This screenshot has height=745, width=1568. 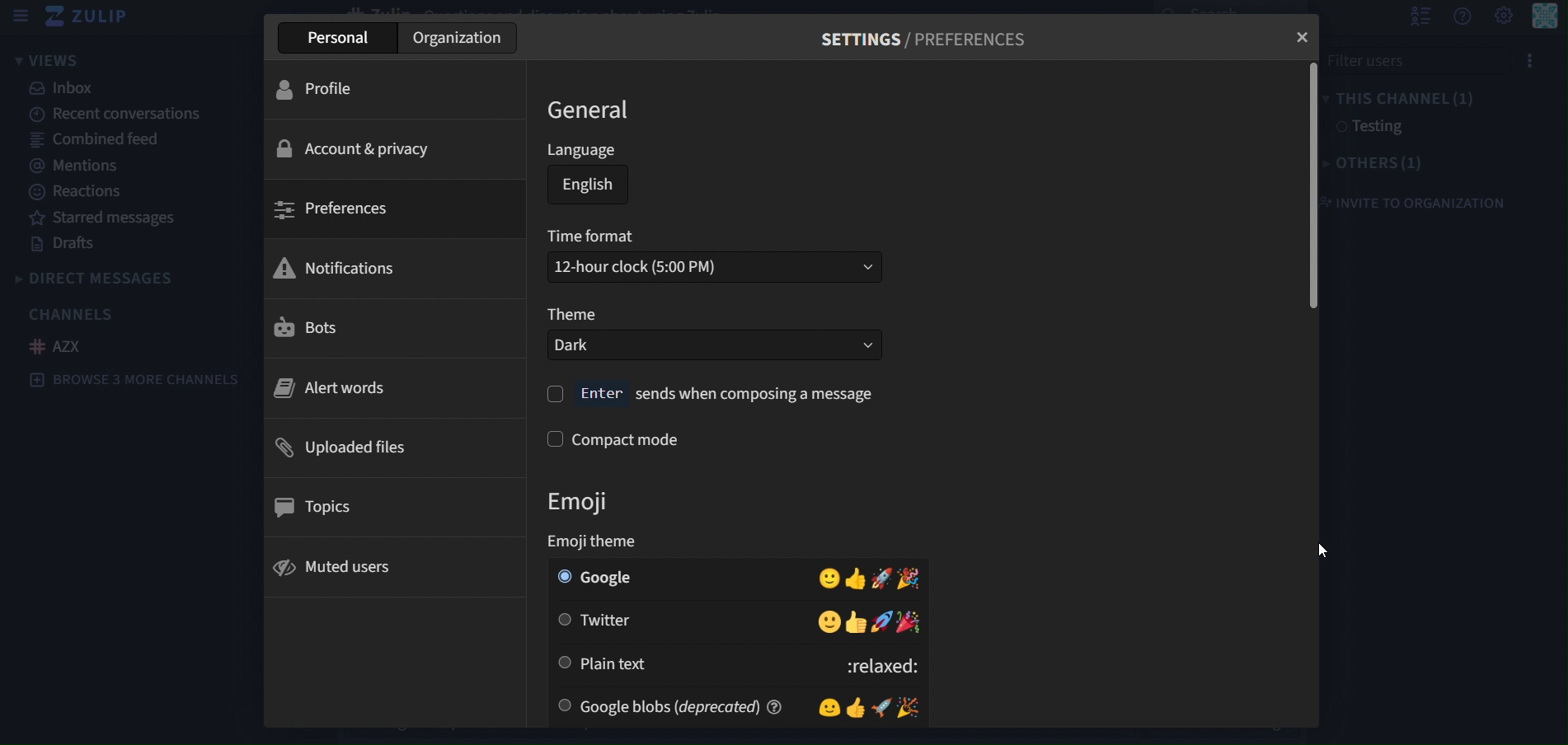 I want to click on SETTINGS / PREFERENCES, so click(x=927, y=39).